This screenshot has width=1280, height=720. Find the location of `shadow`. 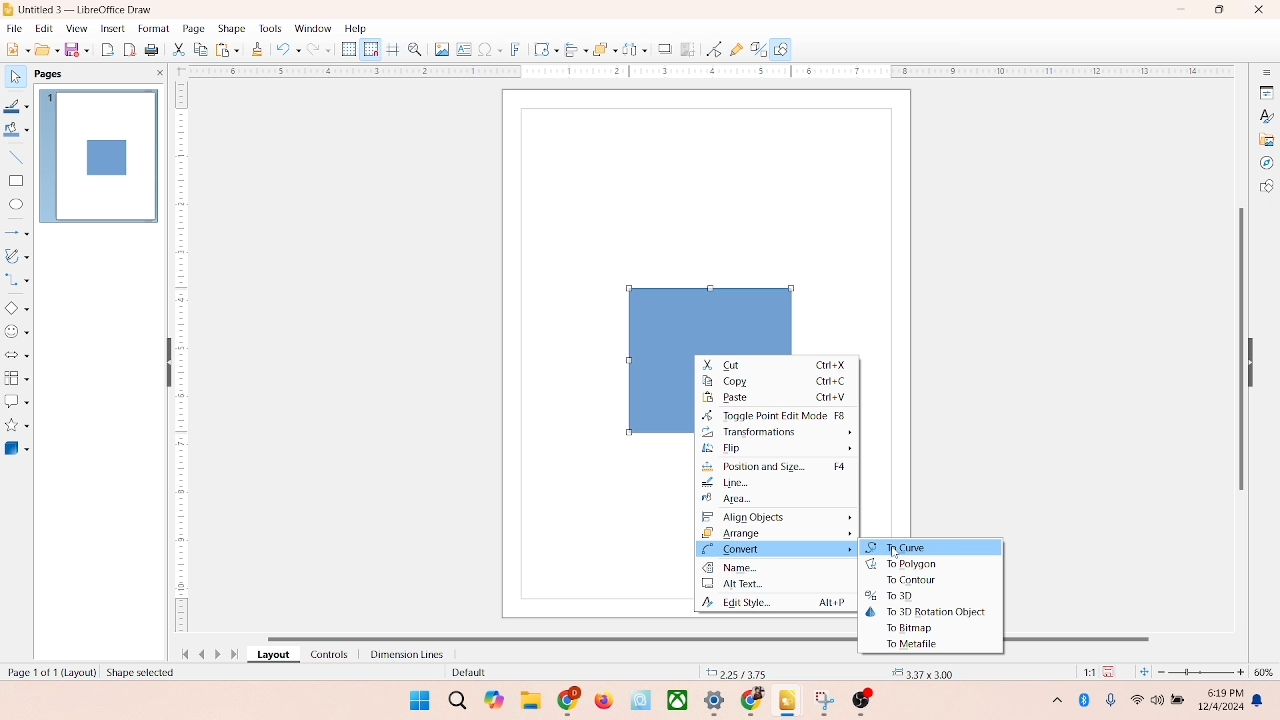

shadow is located at coordinates (662, 47).